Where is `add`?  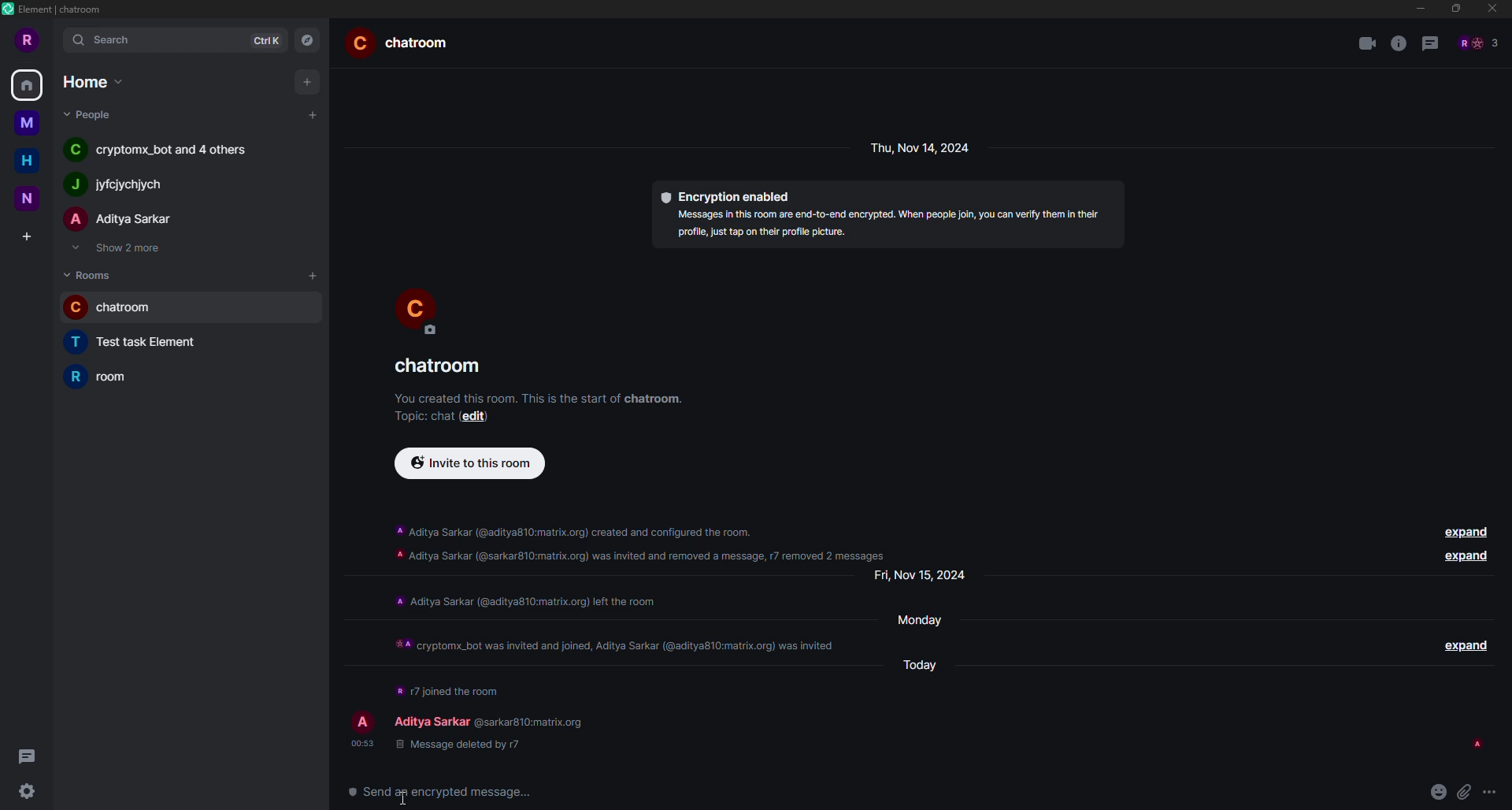
add is located at coordinates (312, 273).